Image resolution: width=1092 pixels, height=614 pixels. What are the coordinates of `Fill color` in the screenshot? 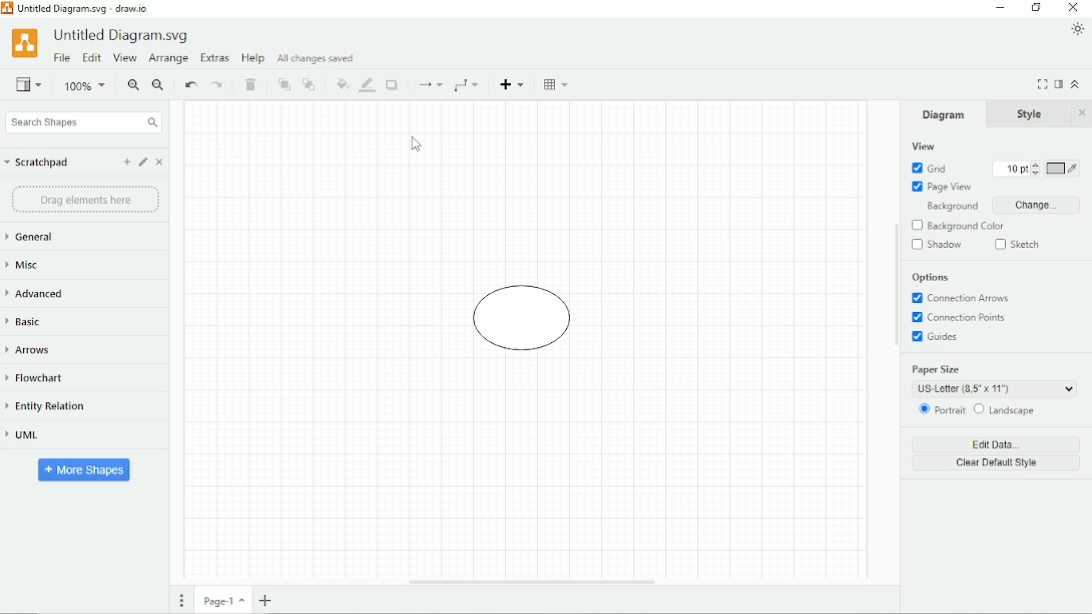 It's located at (343, 85).